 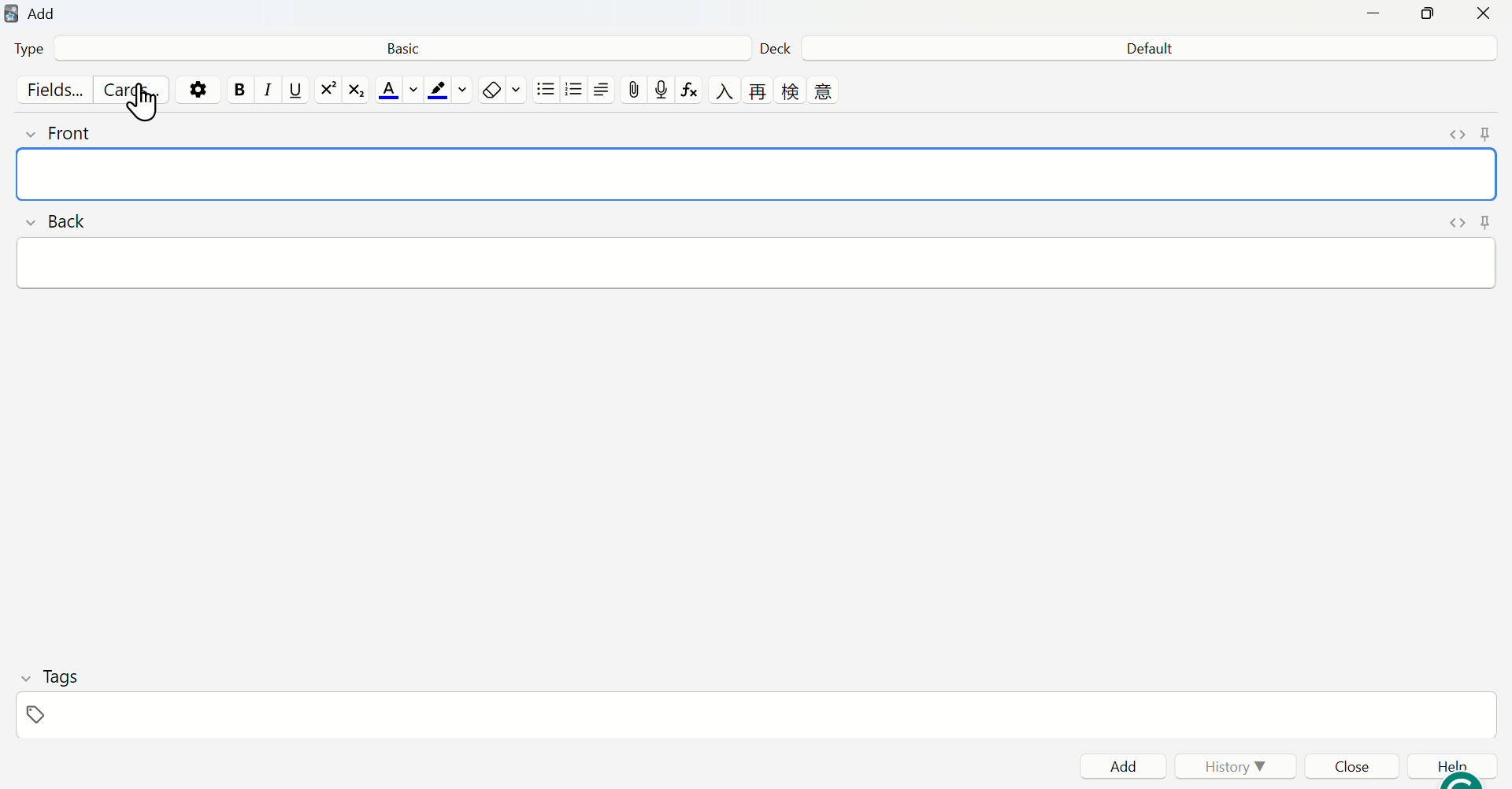 What do you see at coordinates (1369, 15) in the screenshot?
I see `Minimize` at bounding box center [1369, 15].